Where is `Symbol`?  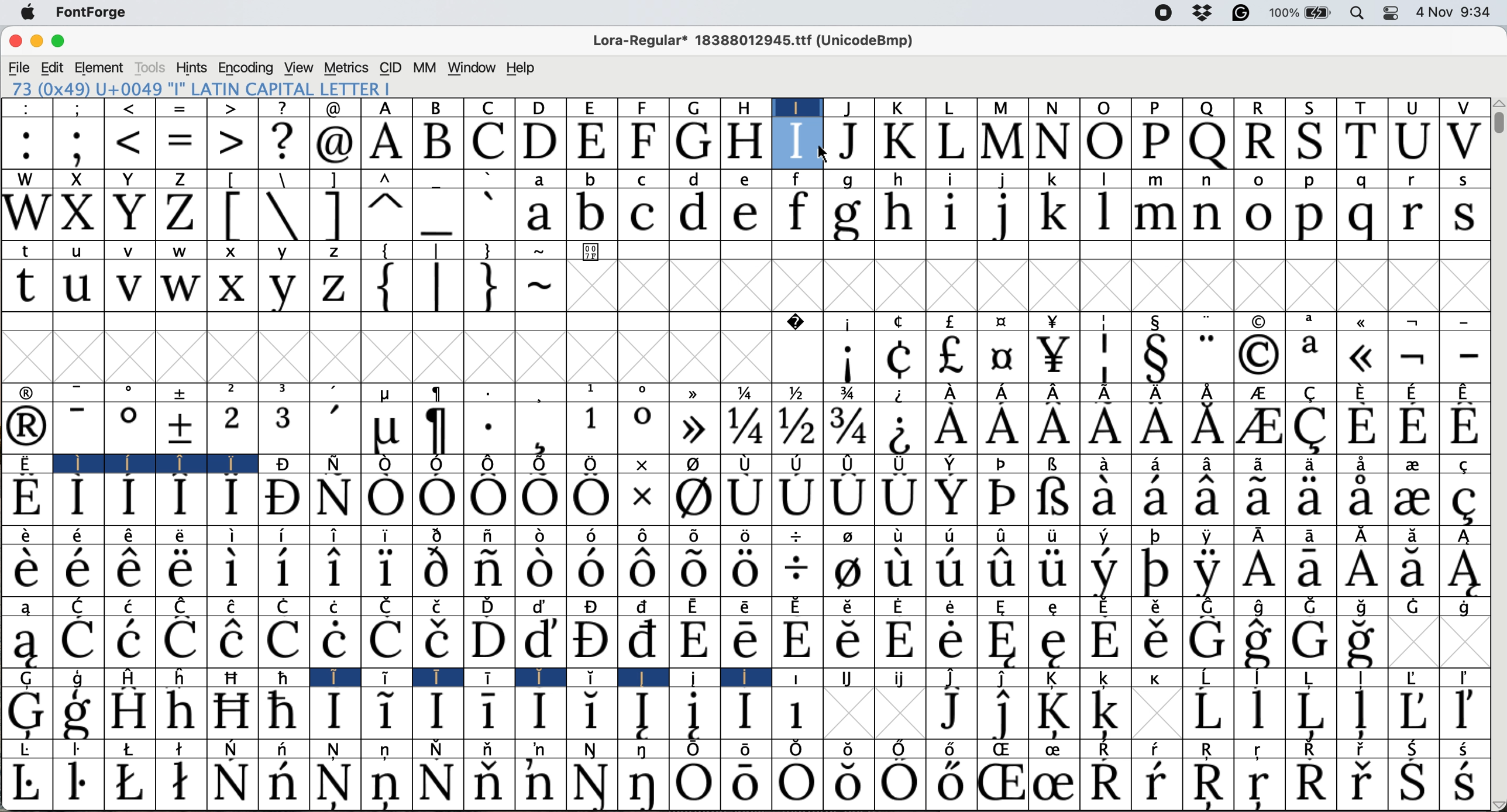 Symbol is located at coordinates (1258, 570).